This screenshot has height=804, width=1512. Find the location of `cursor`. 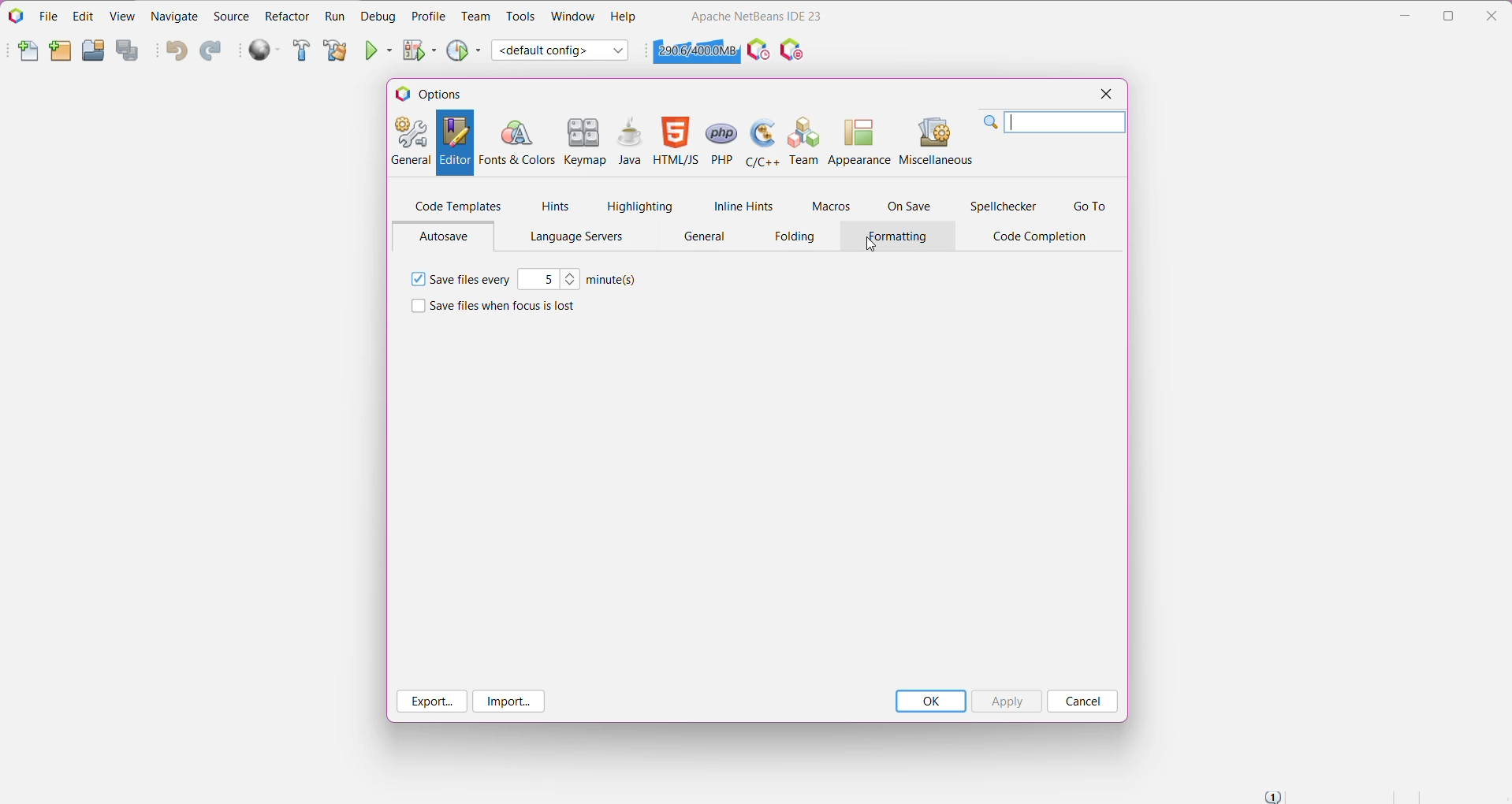

cursor is located at coordinates (873, 246).